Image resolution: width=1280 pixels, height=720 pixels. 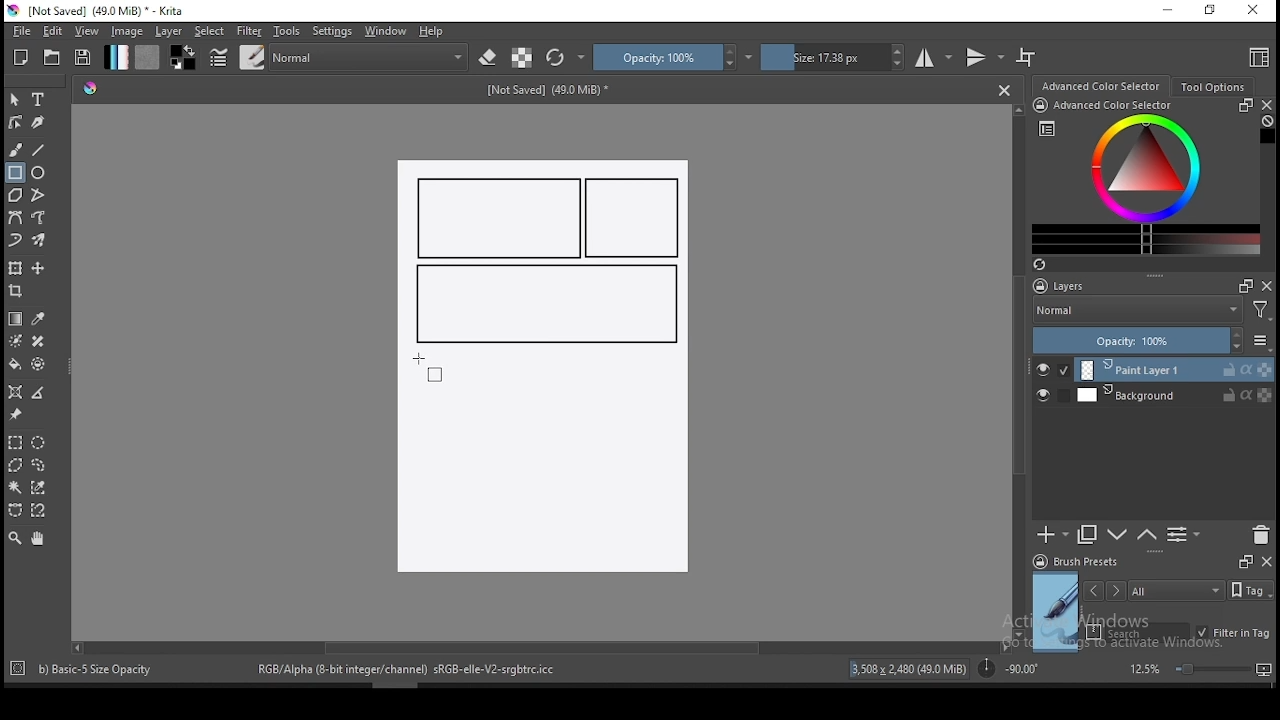 I want to click on image, so click(x=126, y=31).